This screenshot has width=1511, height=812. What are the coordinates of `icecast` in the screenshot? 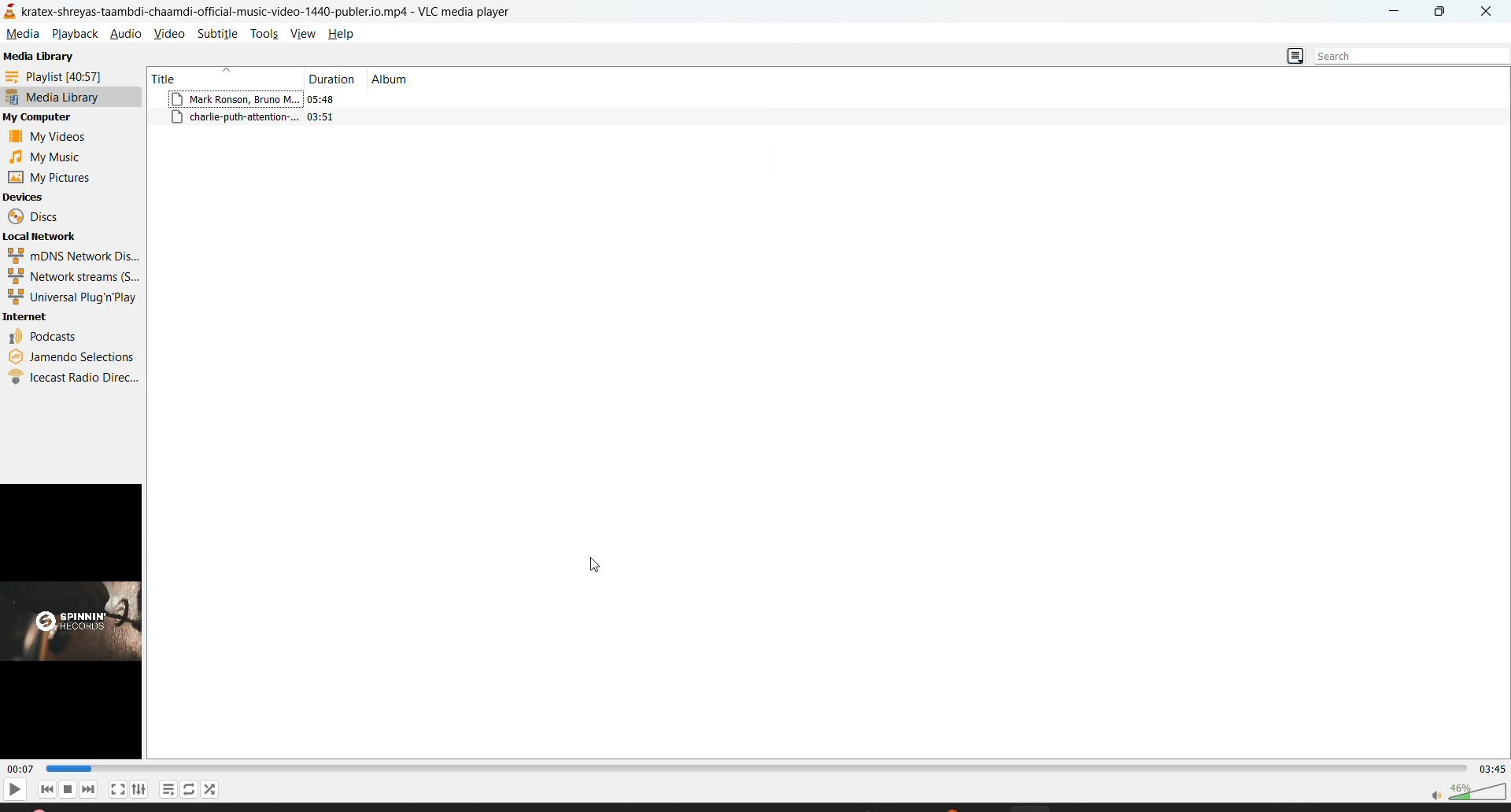 It's located at (72, 377).